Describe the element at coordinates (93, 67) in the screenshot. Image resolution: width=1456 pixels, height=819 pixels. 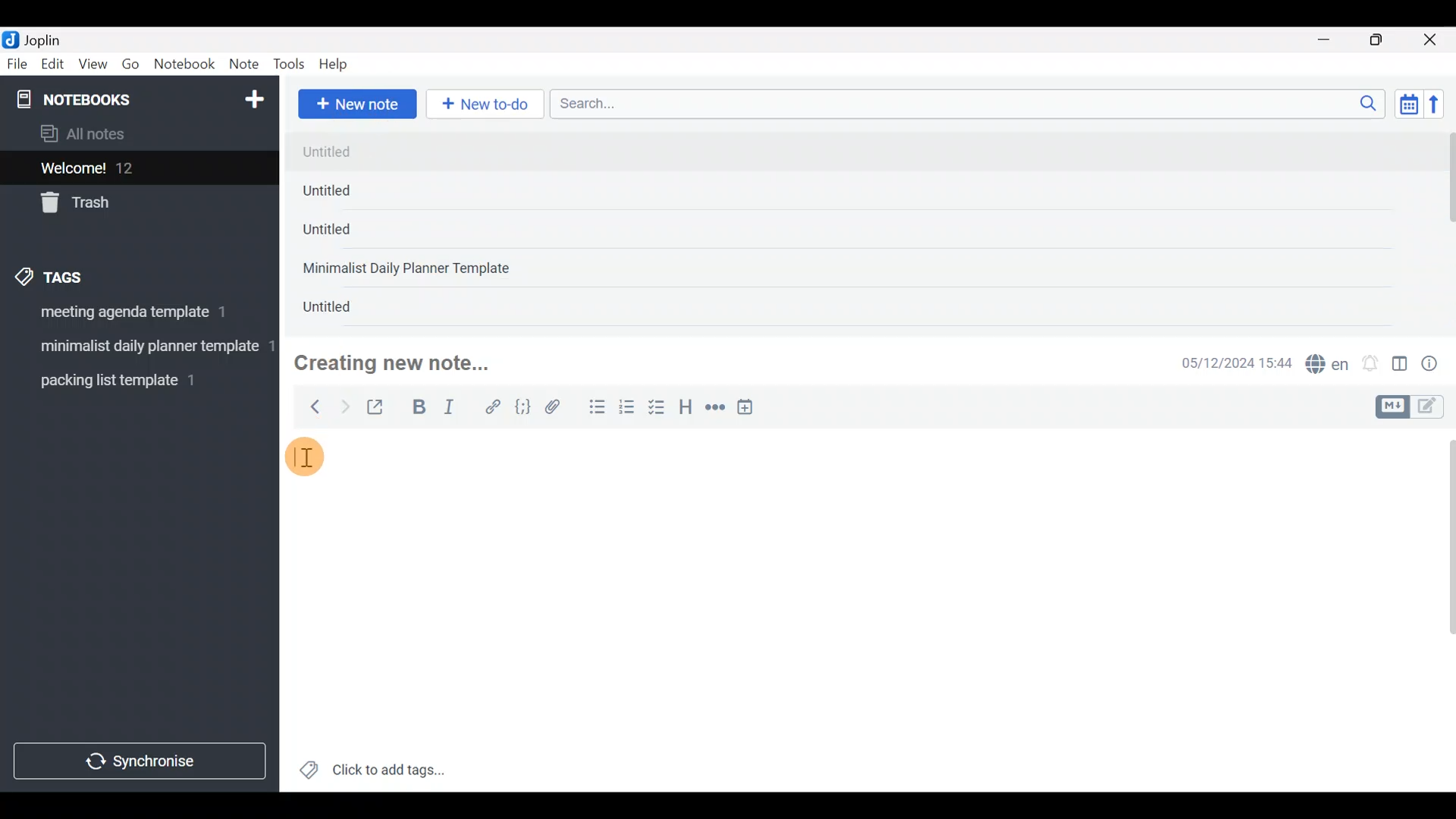
I see `View` at that location.